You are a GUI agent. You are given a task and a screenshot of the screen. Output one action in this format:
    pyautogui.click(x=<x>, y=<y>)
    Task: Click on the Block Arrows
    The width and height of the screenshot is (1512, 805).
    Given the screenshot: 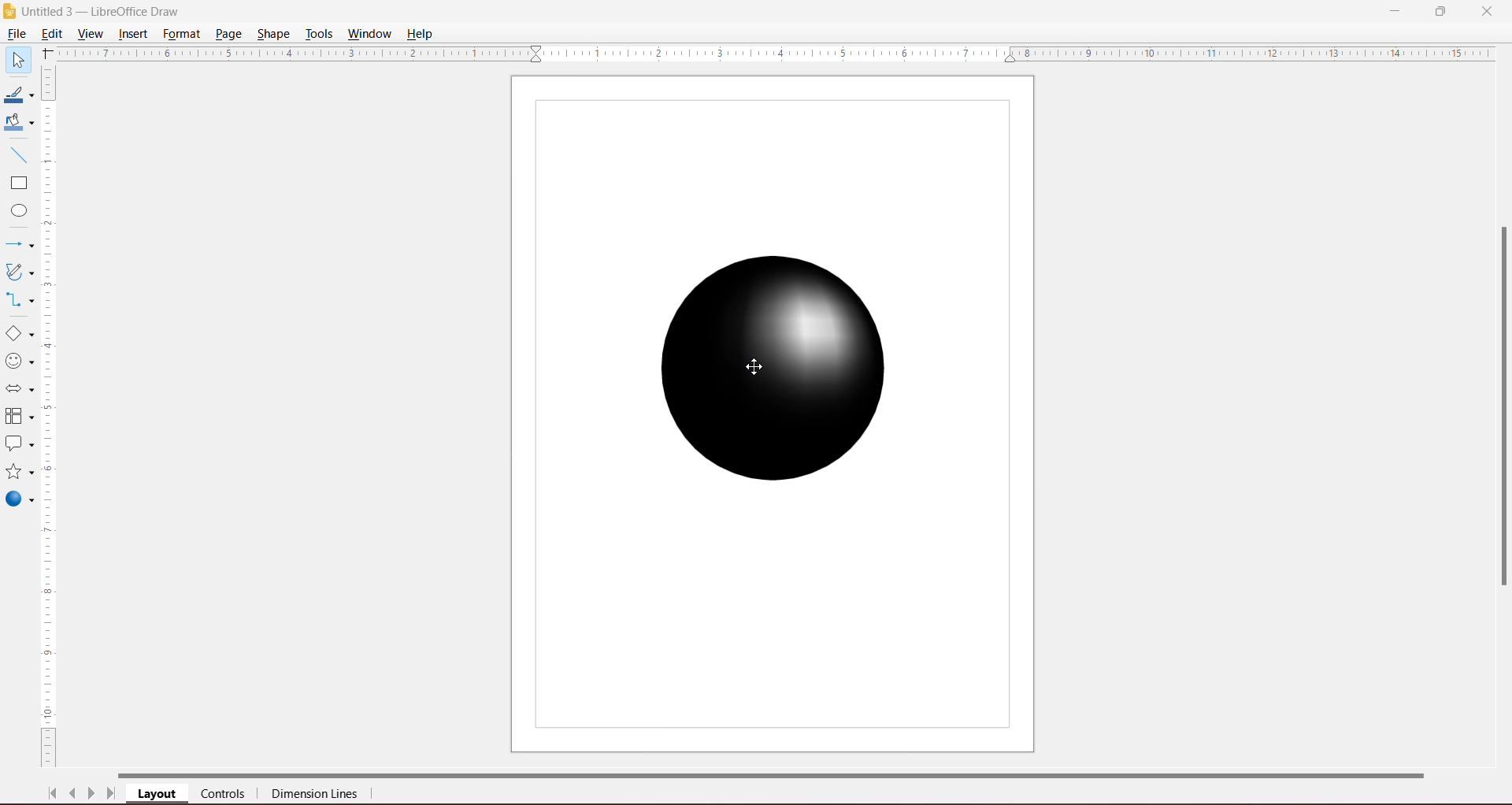 What is the action you would take?
    pyautogui.click(x=18, y=391)
    